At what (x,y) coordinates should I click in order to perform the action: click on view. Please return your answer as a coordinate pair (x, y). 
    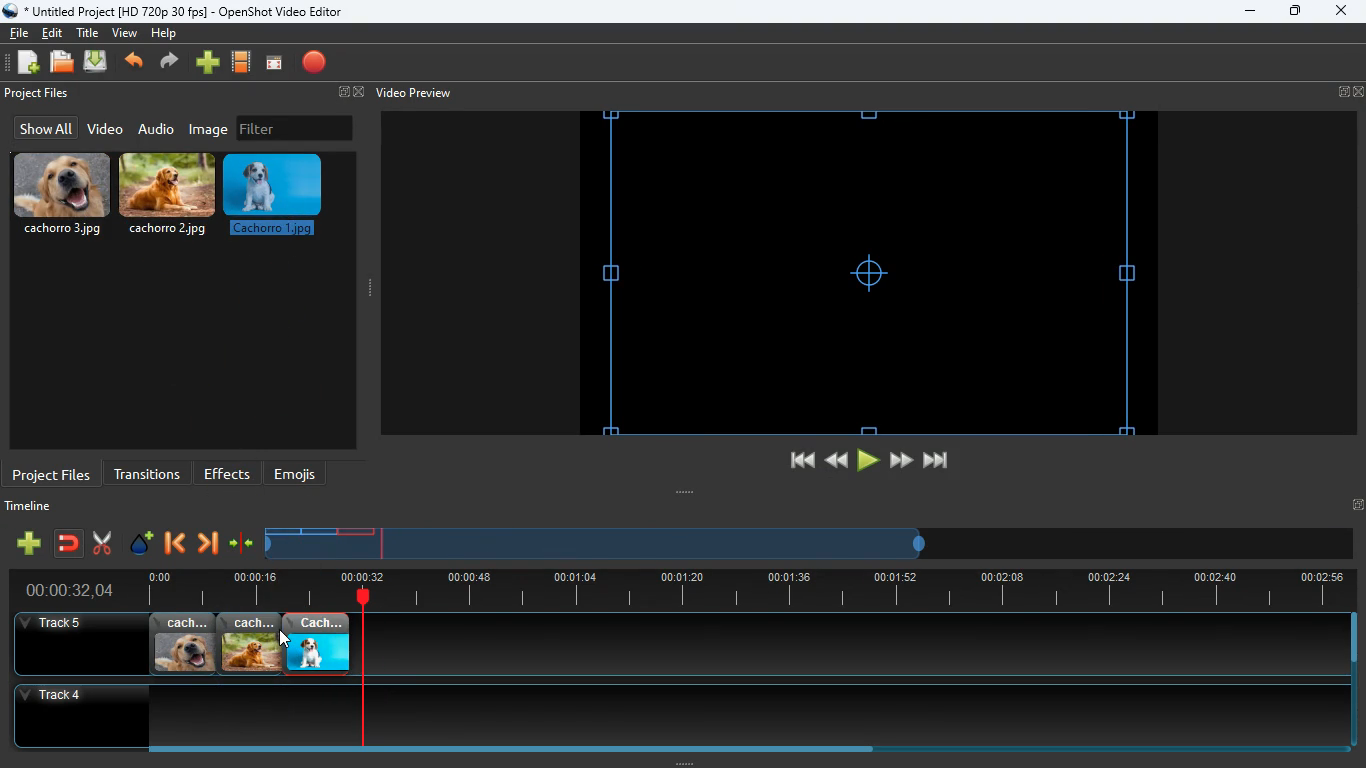
    Looking at the image, I should click on (126, 33).